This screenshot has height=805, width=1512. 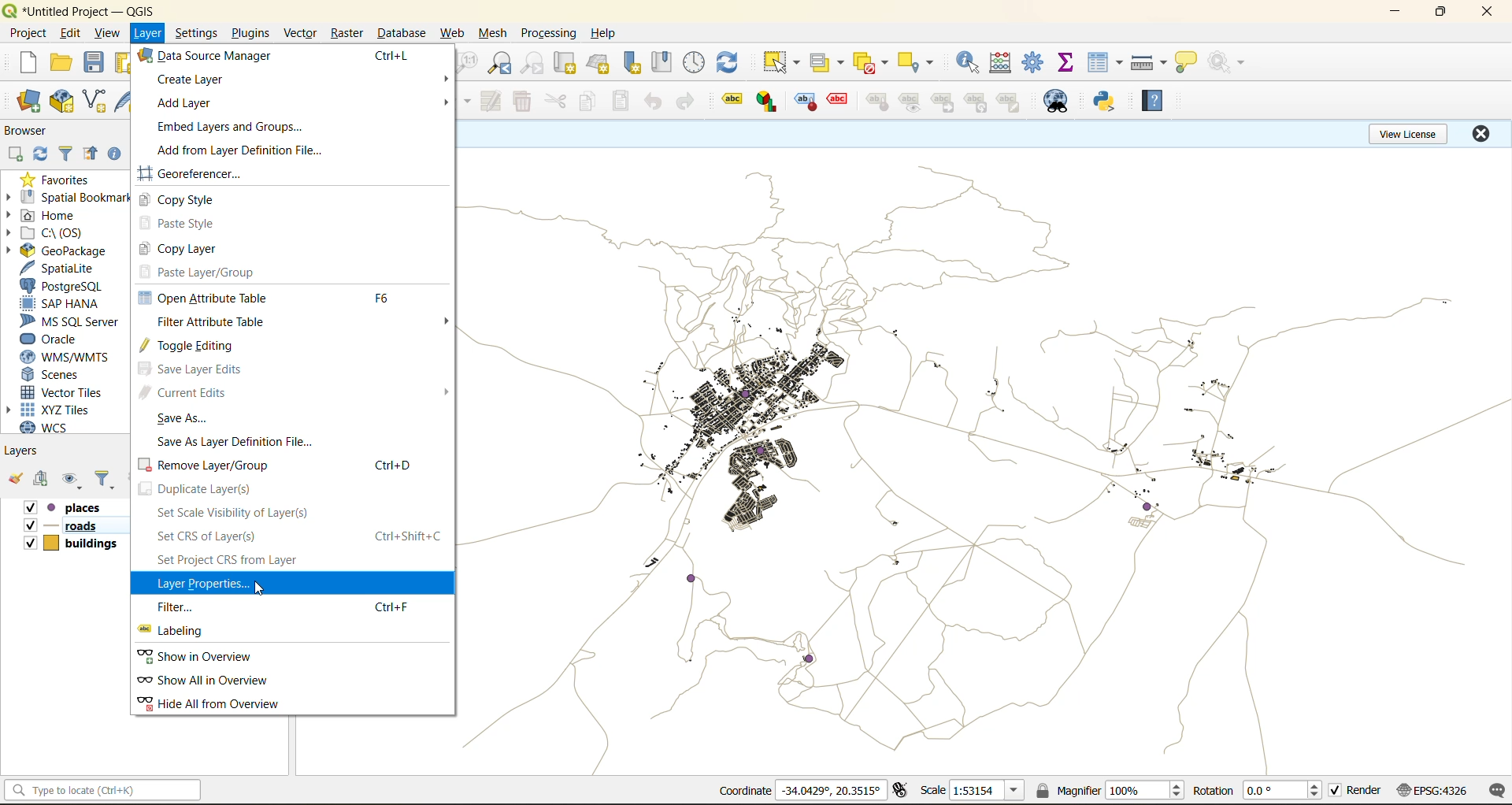 What do you see at coordinates (195, 224) in the screenshot?
I see `paste style` at bounding box center [195, 224].